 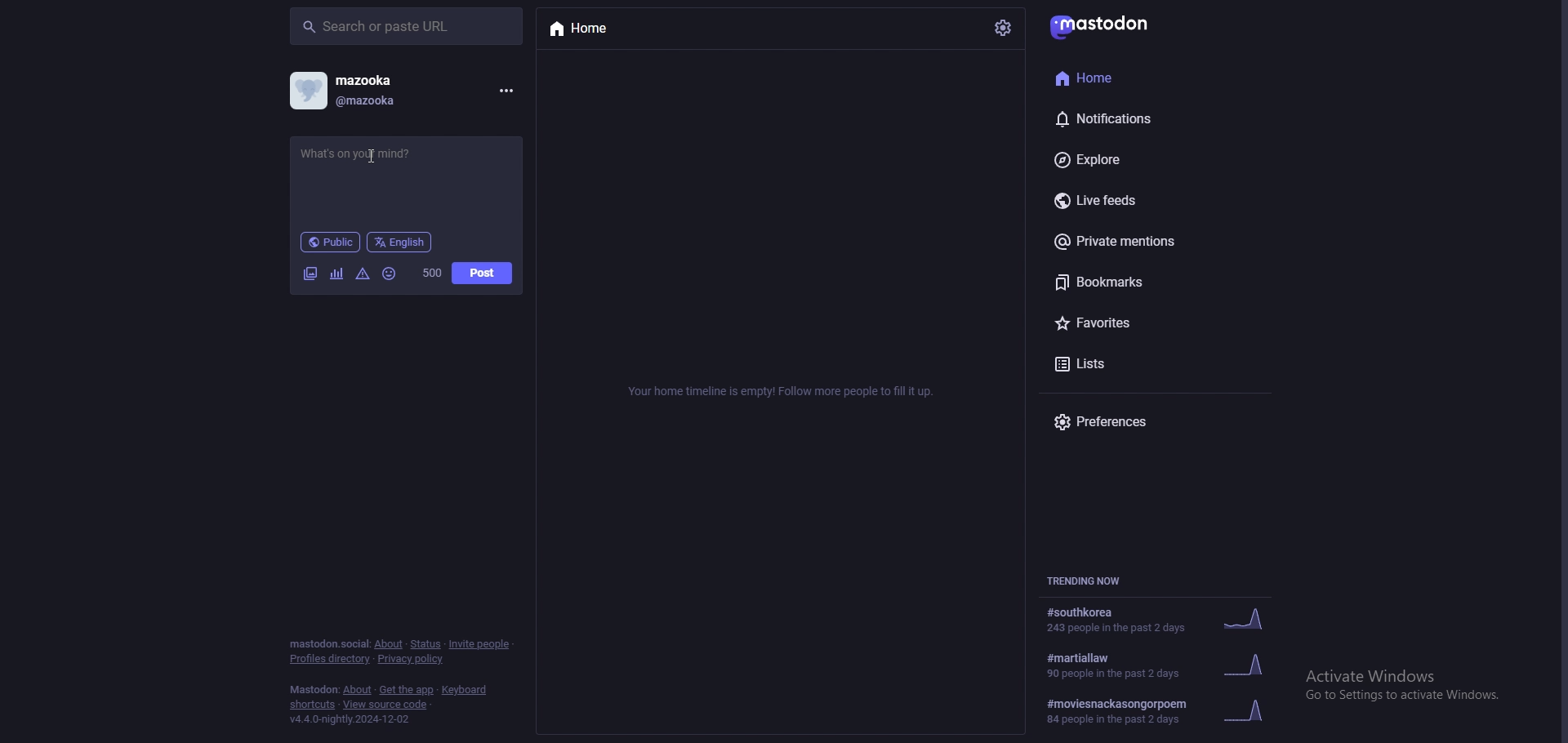 I want to click on public, so click(x=329, y=242).